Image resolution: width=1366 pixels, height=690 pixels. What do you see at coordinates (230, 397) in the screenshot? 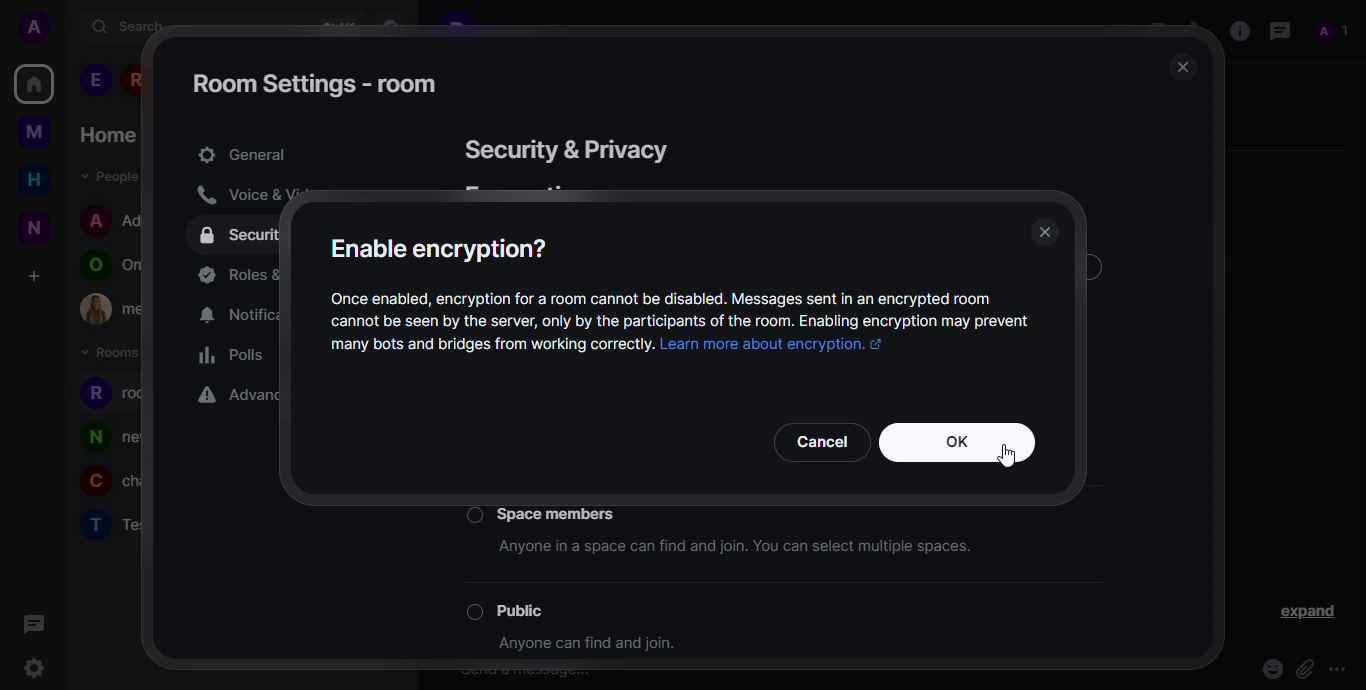
I see `advanced` at bounding box center [230, 397].